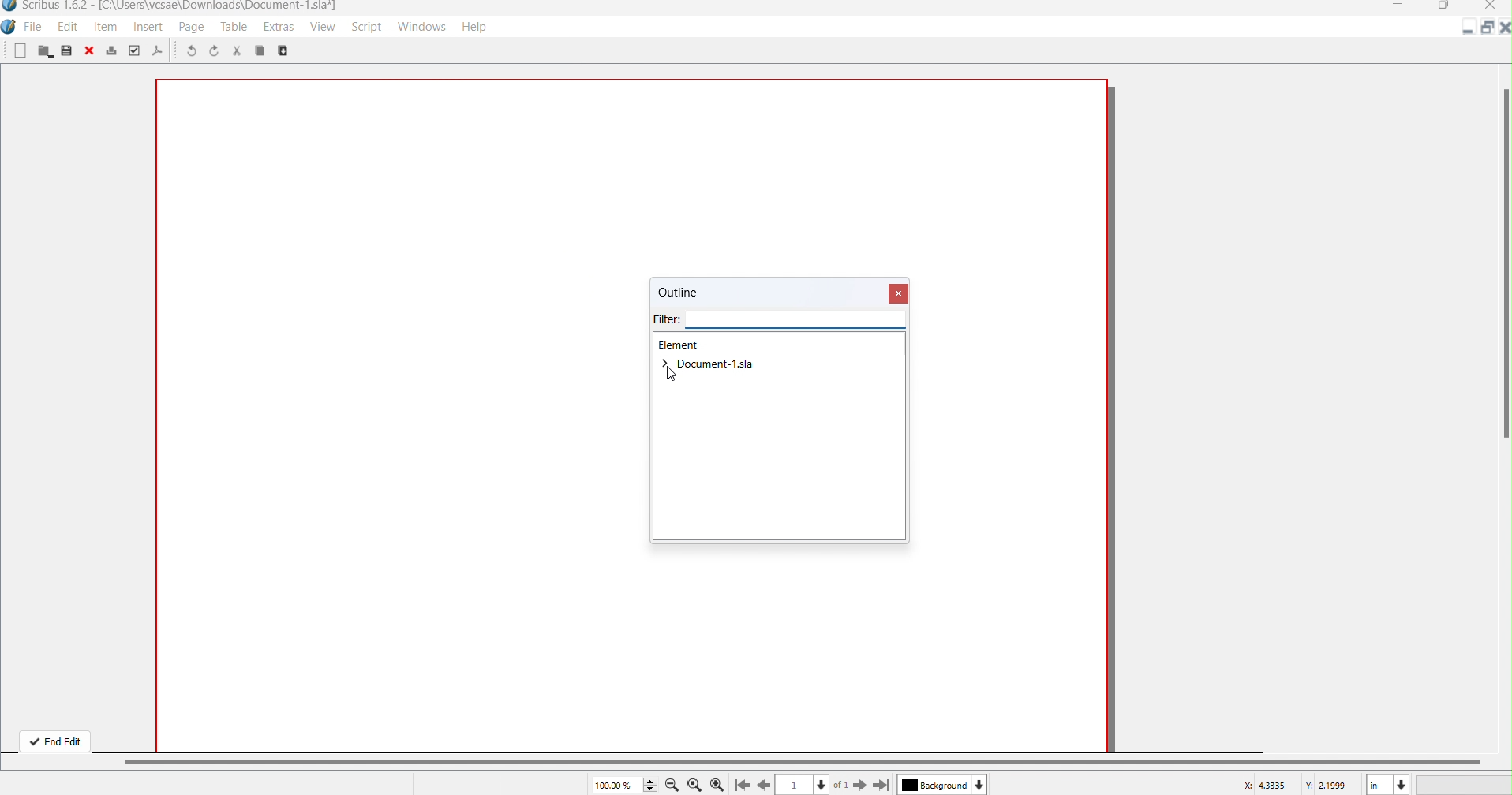  Describe the element at coordinates (54, 739) in the screenshot. I see `End Edit` at that location.